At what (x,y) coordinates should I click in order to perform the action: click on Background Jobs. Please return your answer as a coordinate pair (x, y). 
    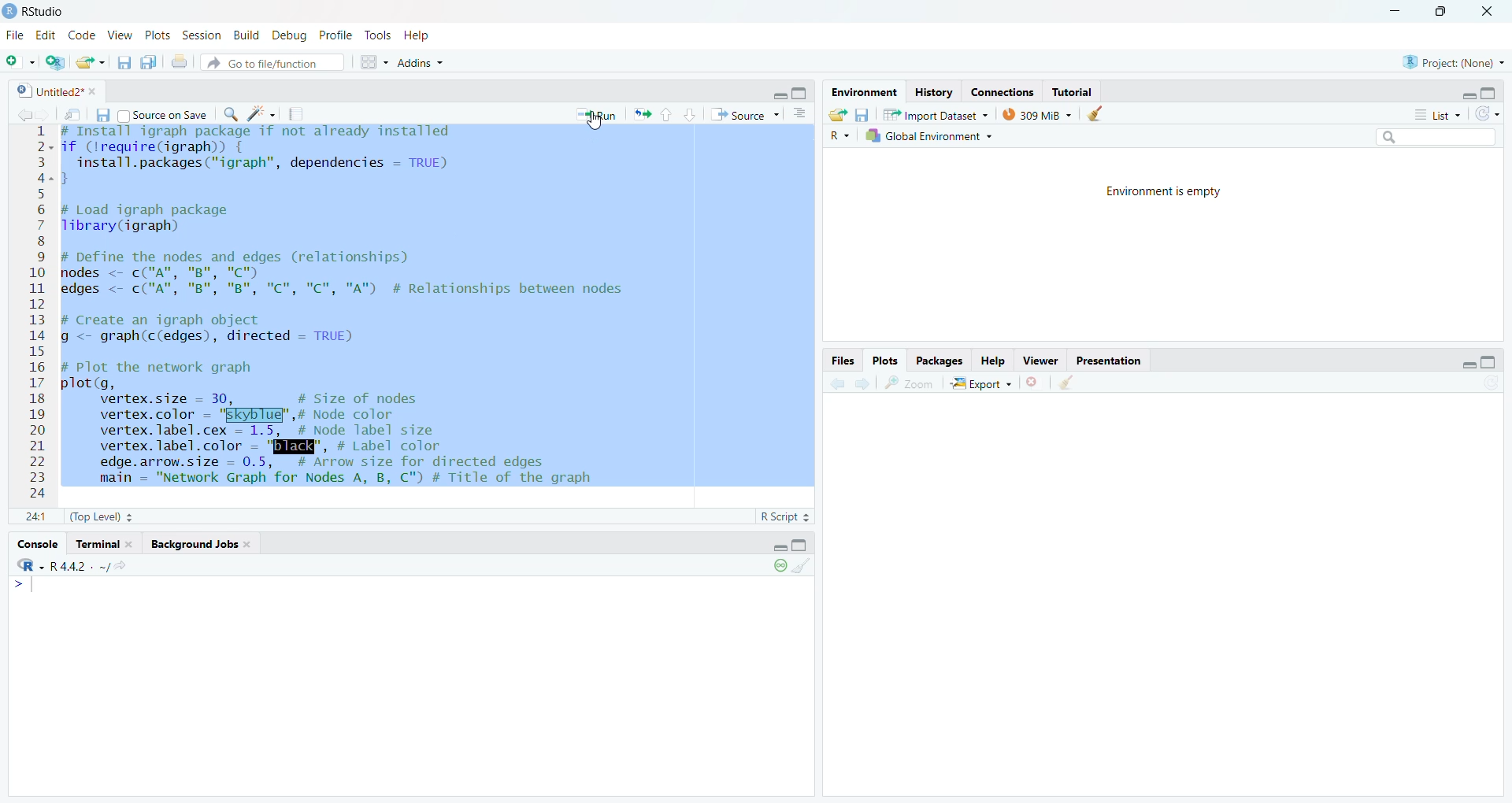
    Looking at the image, I should click on (196, 546).